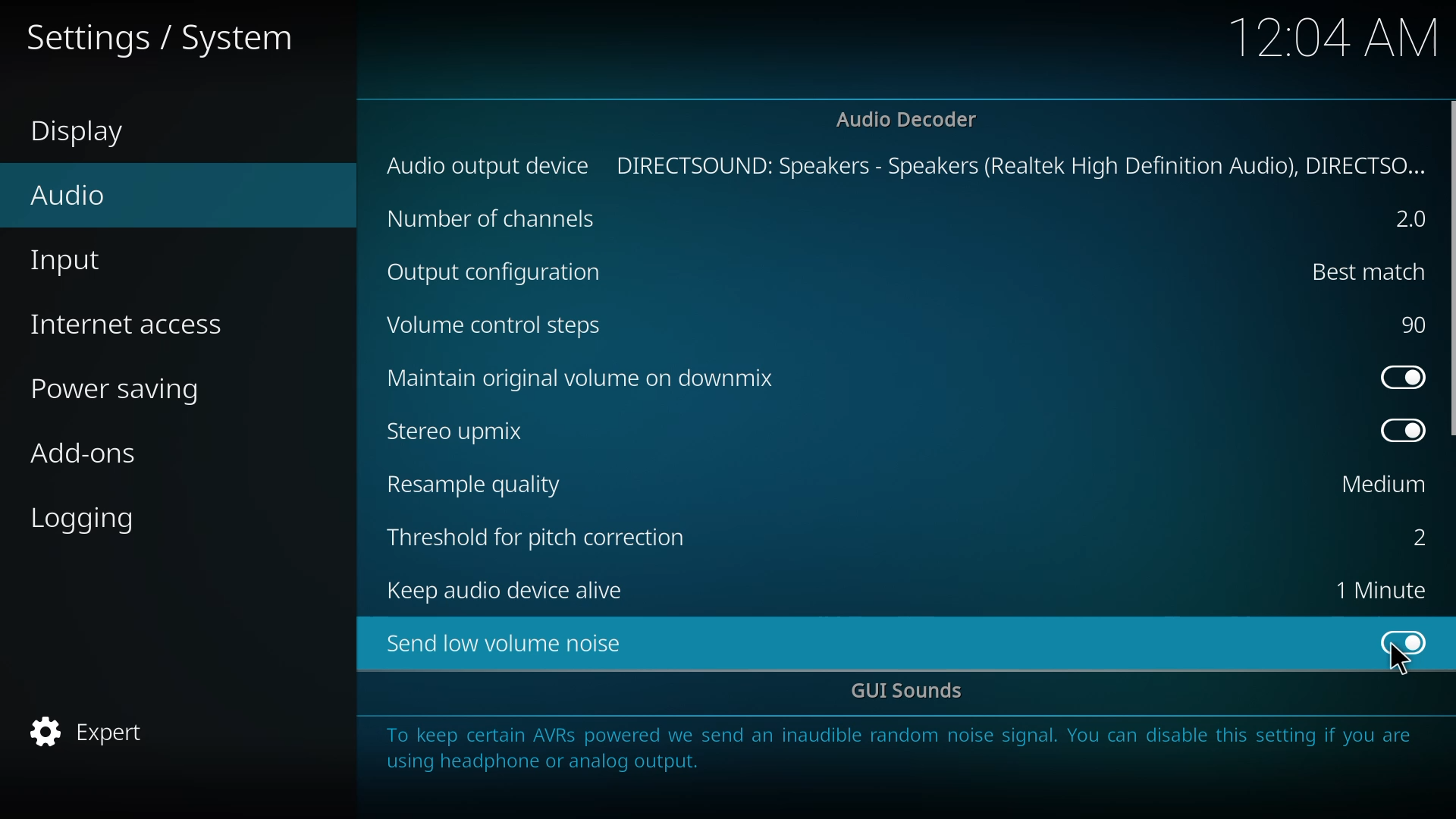  Describe the element at coordinates (82, 190) in the screenshot. I see `audio` at that location.